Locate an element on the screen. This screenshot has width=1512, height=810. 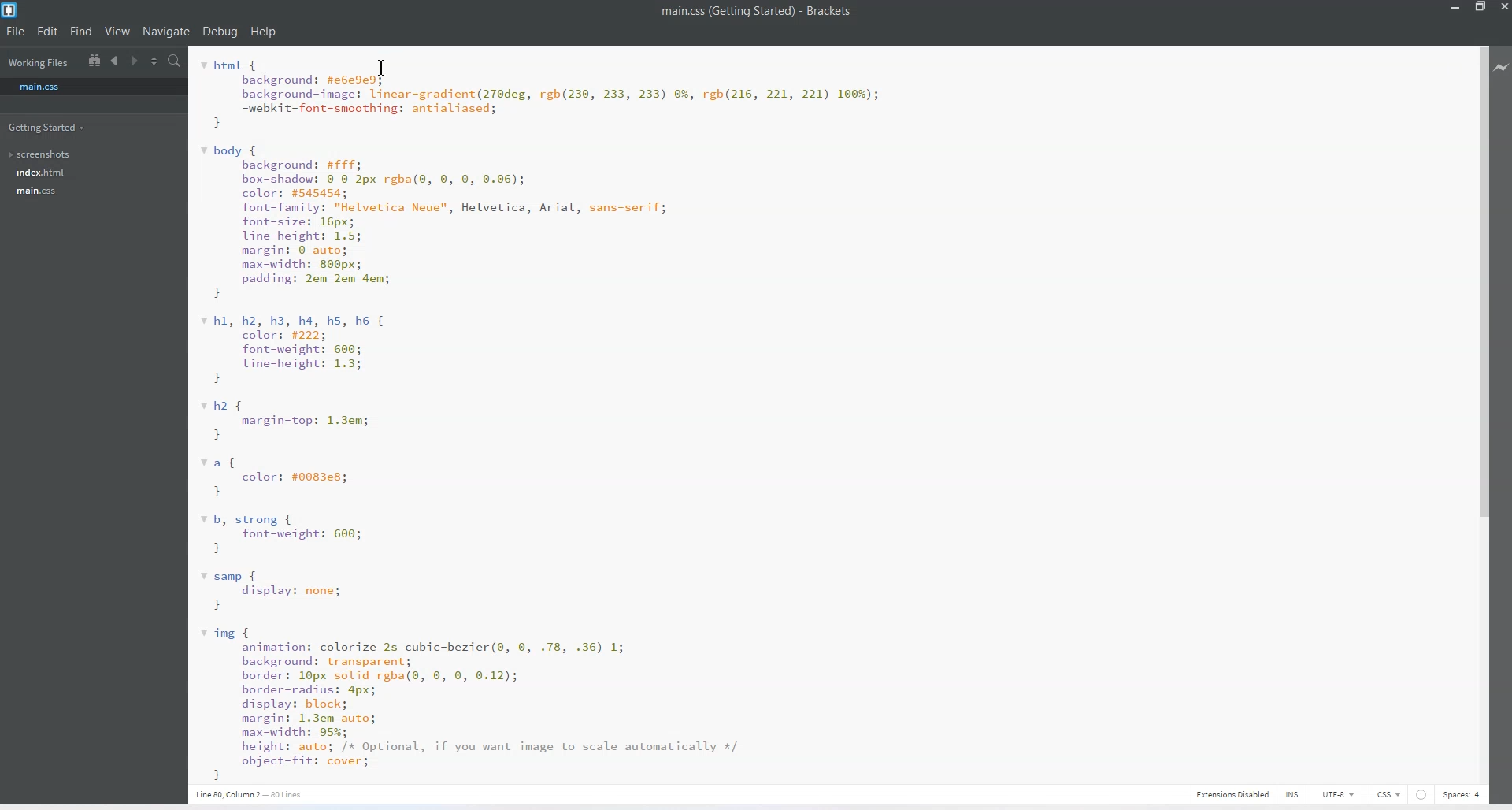
Spaces: 4 is located at coordinates (1462, 794).